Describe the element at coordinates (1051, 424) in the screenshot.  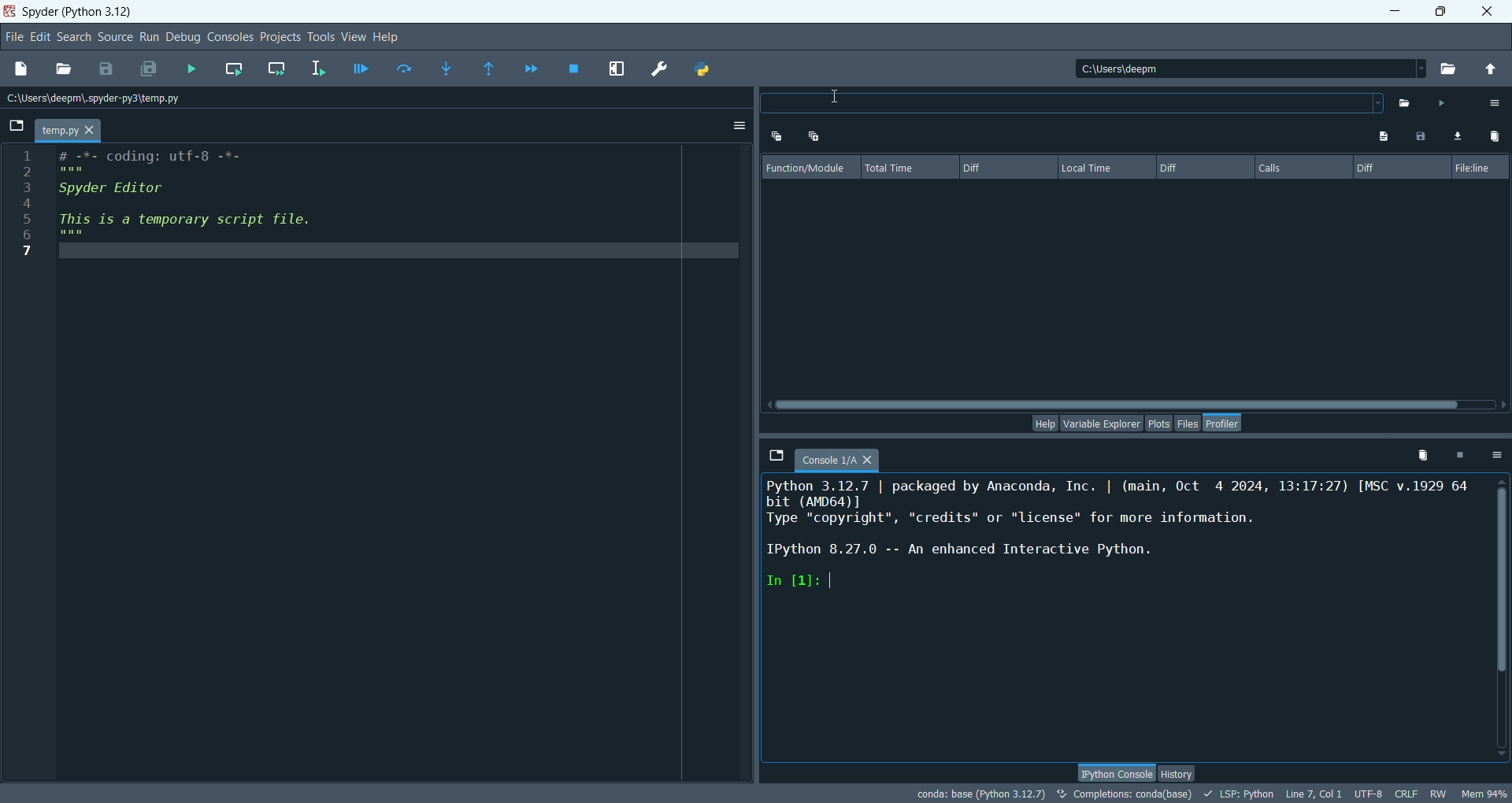
I see `help` at that location.